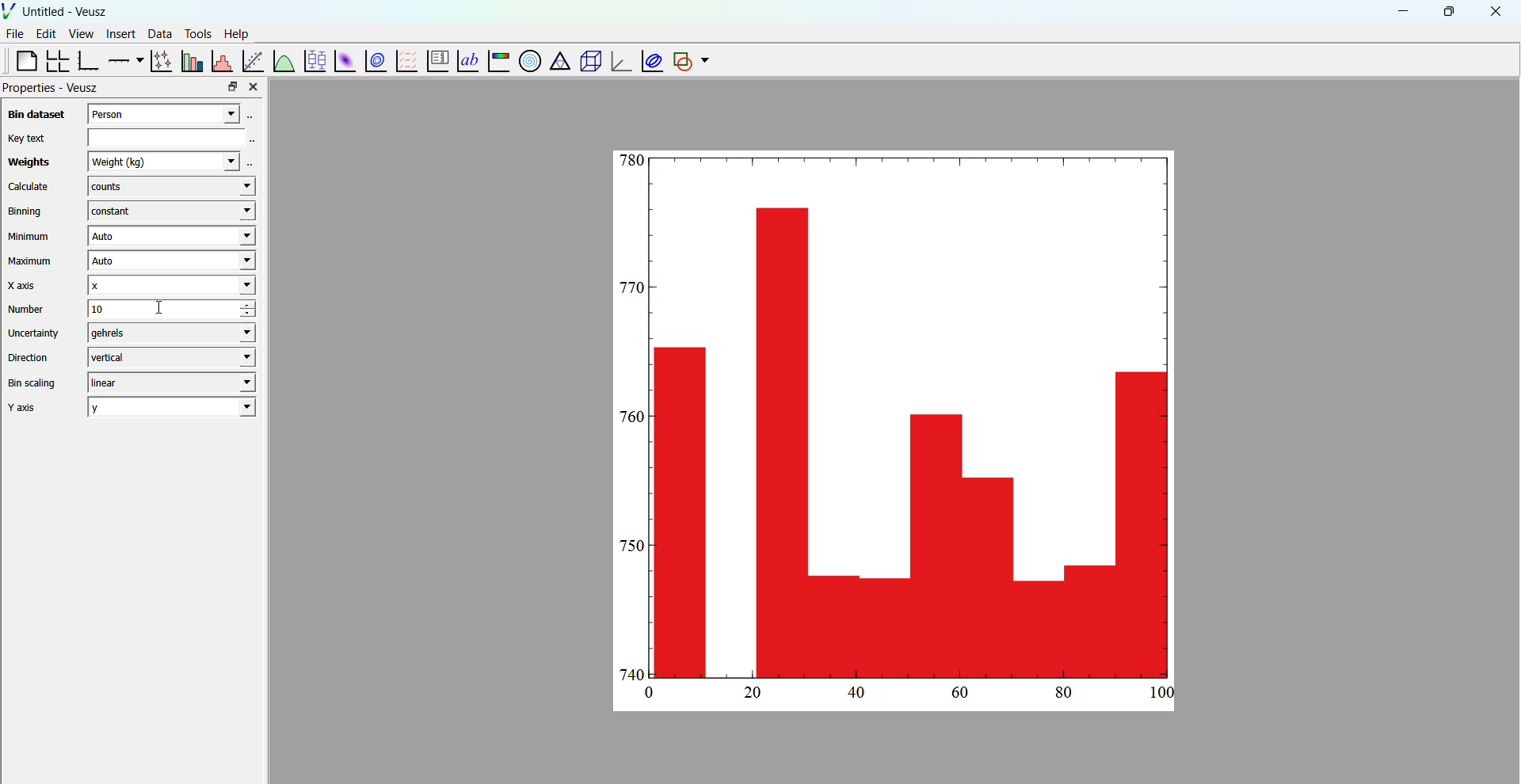 This screenshot has height=784, width=1521. What do you see at coordinates (10, 10) in the screenshot?
I see `logo of Veusz` at bounding box center [10, 10].